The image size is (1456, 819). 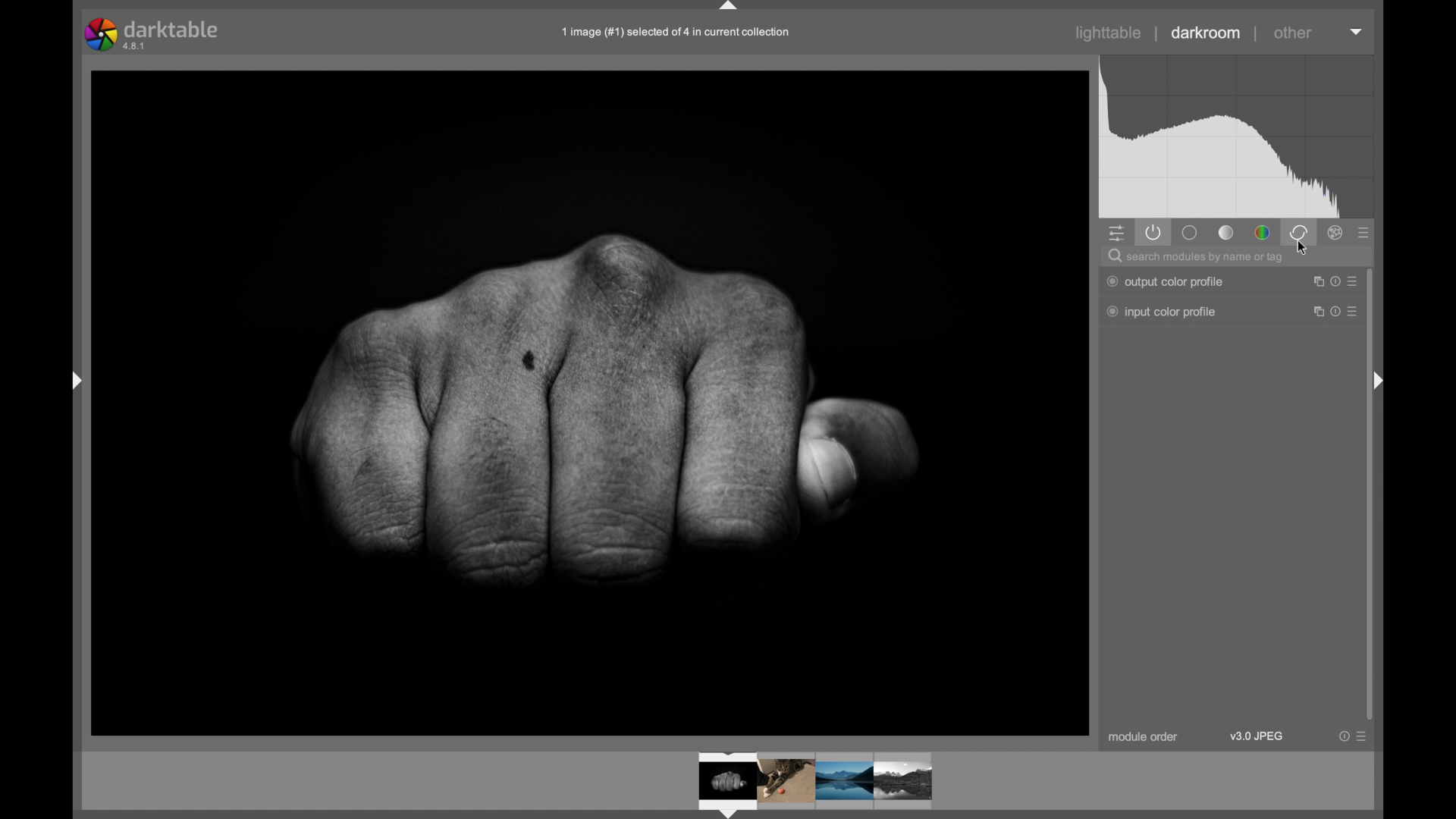 What do you see at coordinates (591, 403) in the screenshot?
I see `photo` at bounding box center [591, 403].